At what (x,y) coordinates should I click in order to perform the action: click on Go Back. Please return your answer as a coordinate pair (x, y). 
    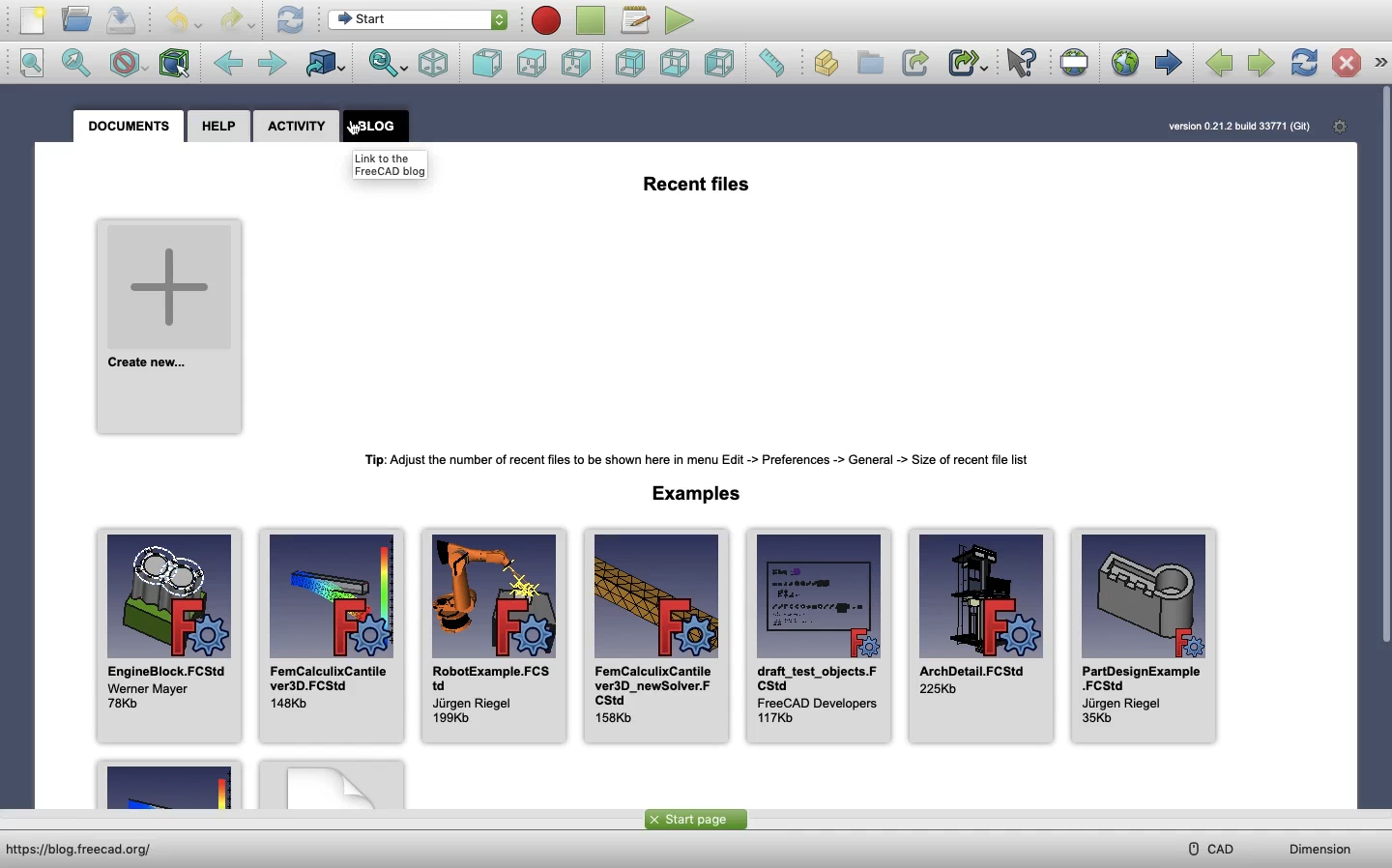
    Looking at the image, I should click on (227, 62).